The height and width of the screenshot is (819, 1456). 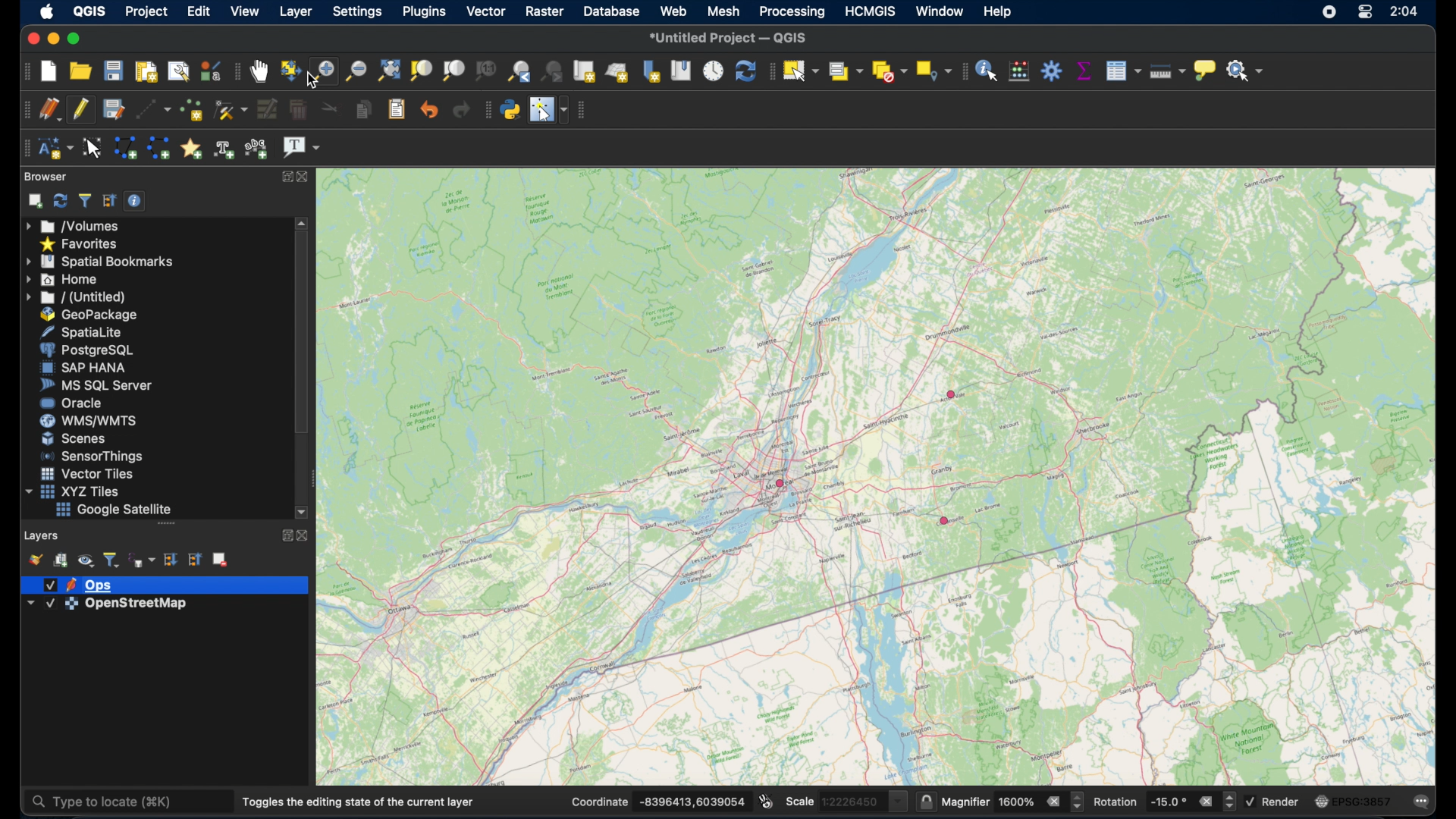 What do you see at coordinates (80, 110) in the screenshot?
I see `toggle editing` at bounding box center [80, 110].